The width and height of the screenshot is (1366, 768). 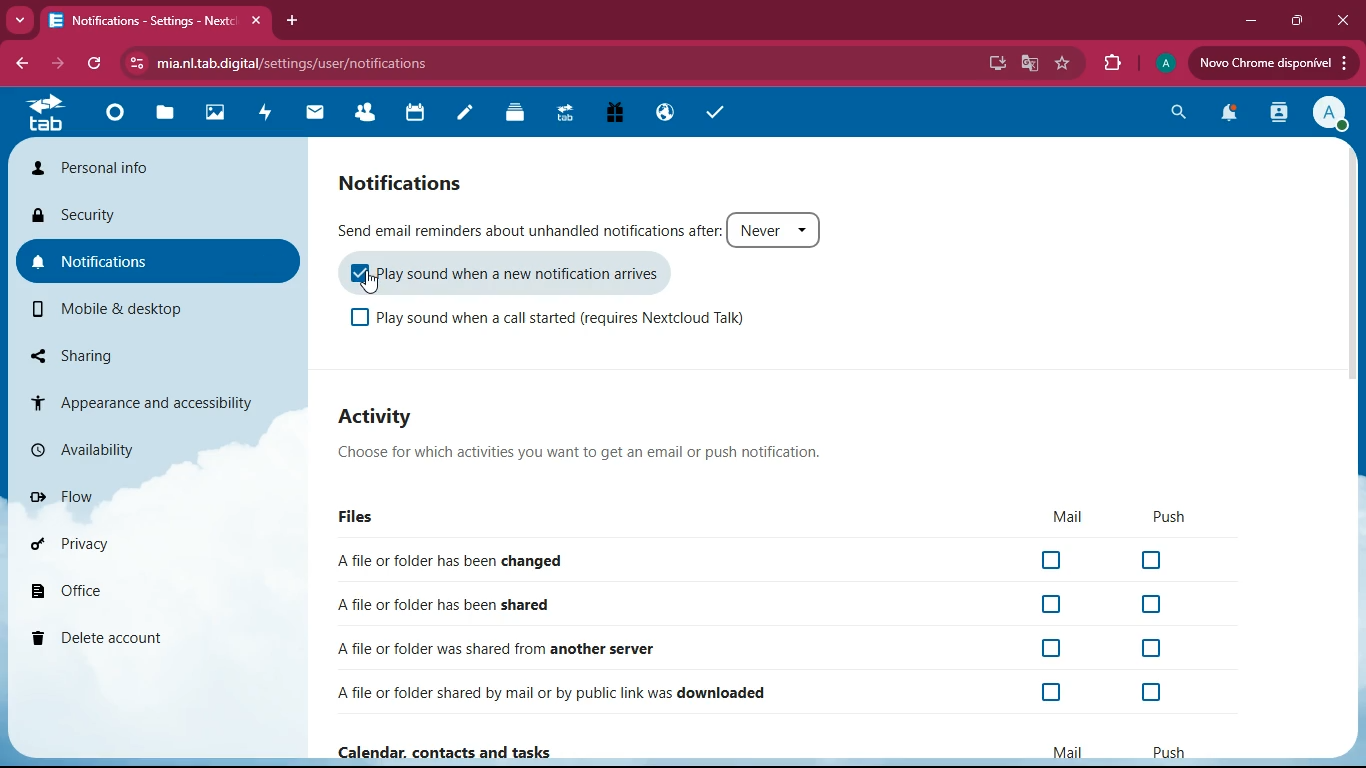 I want to click on profile, so click(x=1163, y=66).